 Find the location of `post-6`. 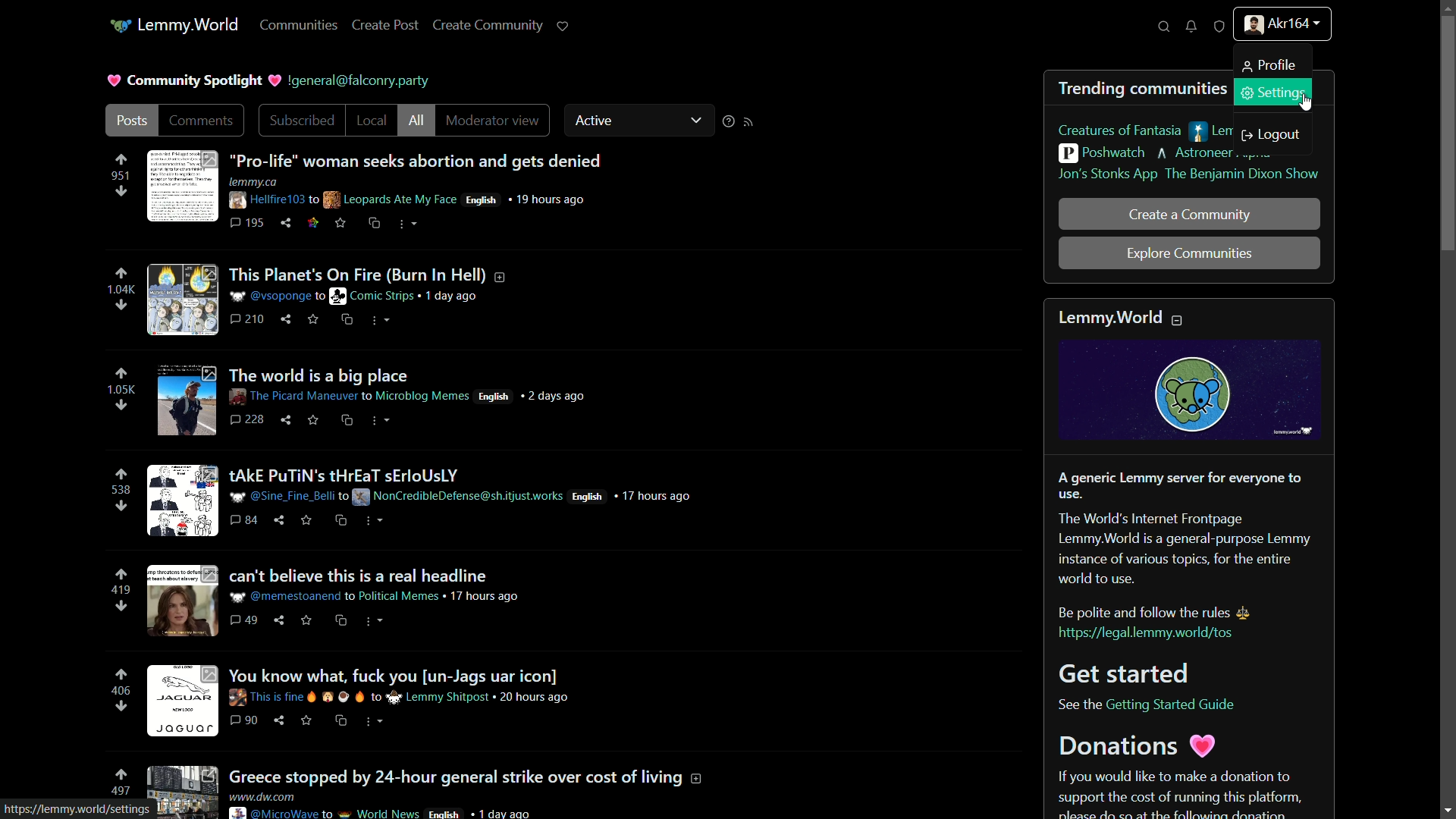

post-6 is located at coordinates (363, 698).